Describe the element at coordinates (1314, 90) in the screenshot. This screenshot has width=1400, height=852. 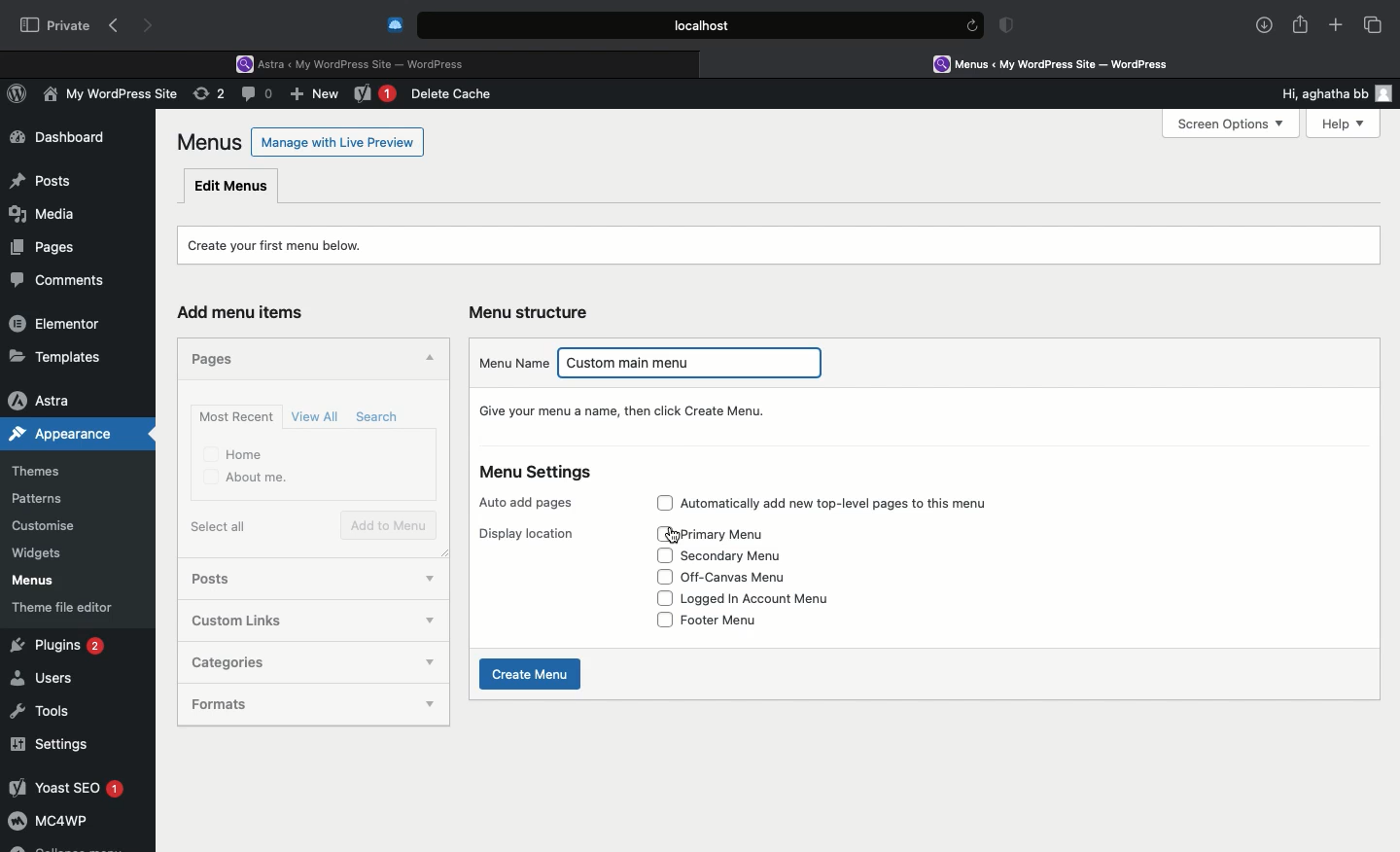
I see `Hi, aghatha bb` at that location.